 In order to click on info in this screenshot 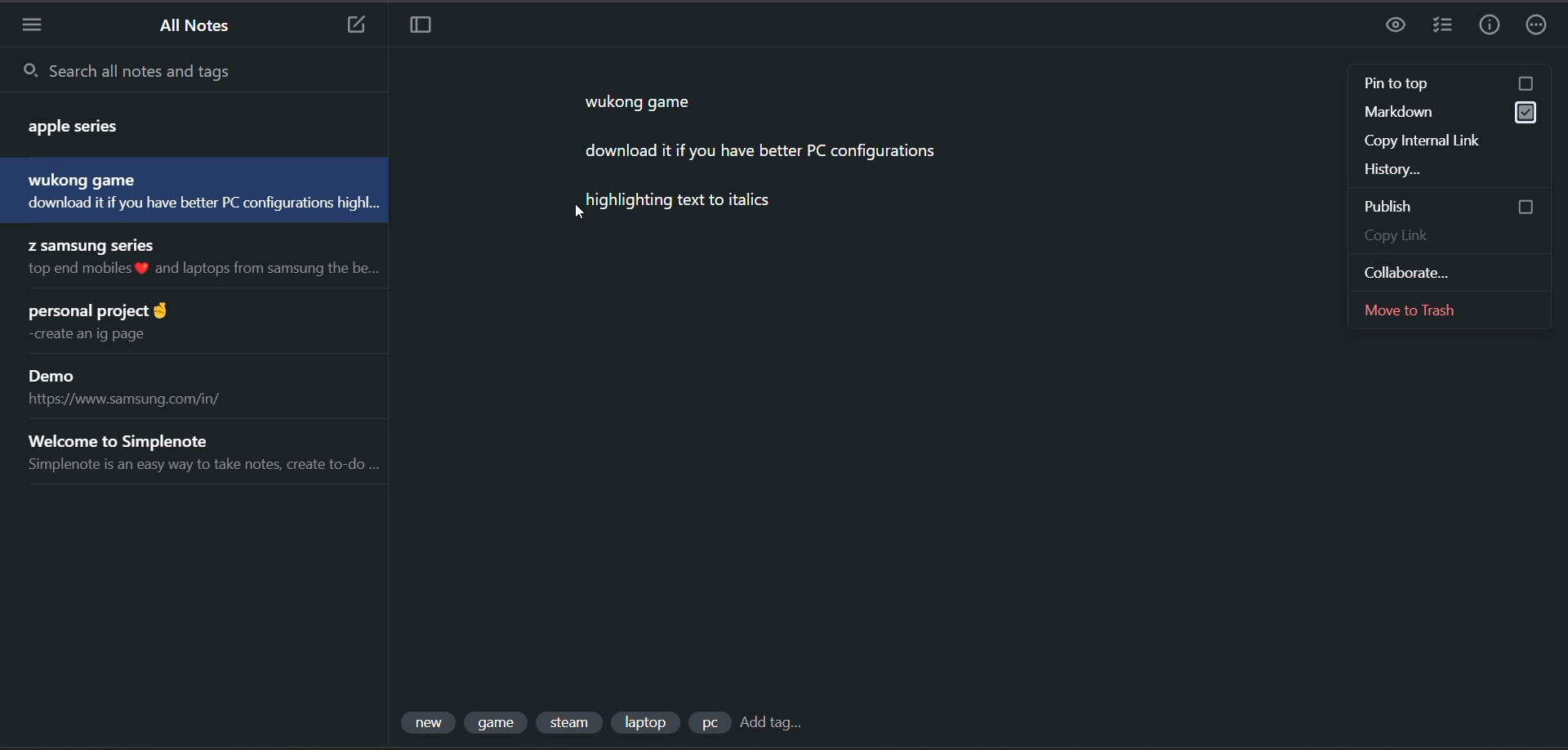, I will do `click(1489, 26)`.